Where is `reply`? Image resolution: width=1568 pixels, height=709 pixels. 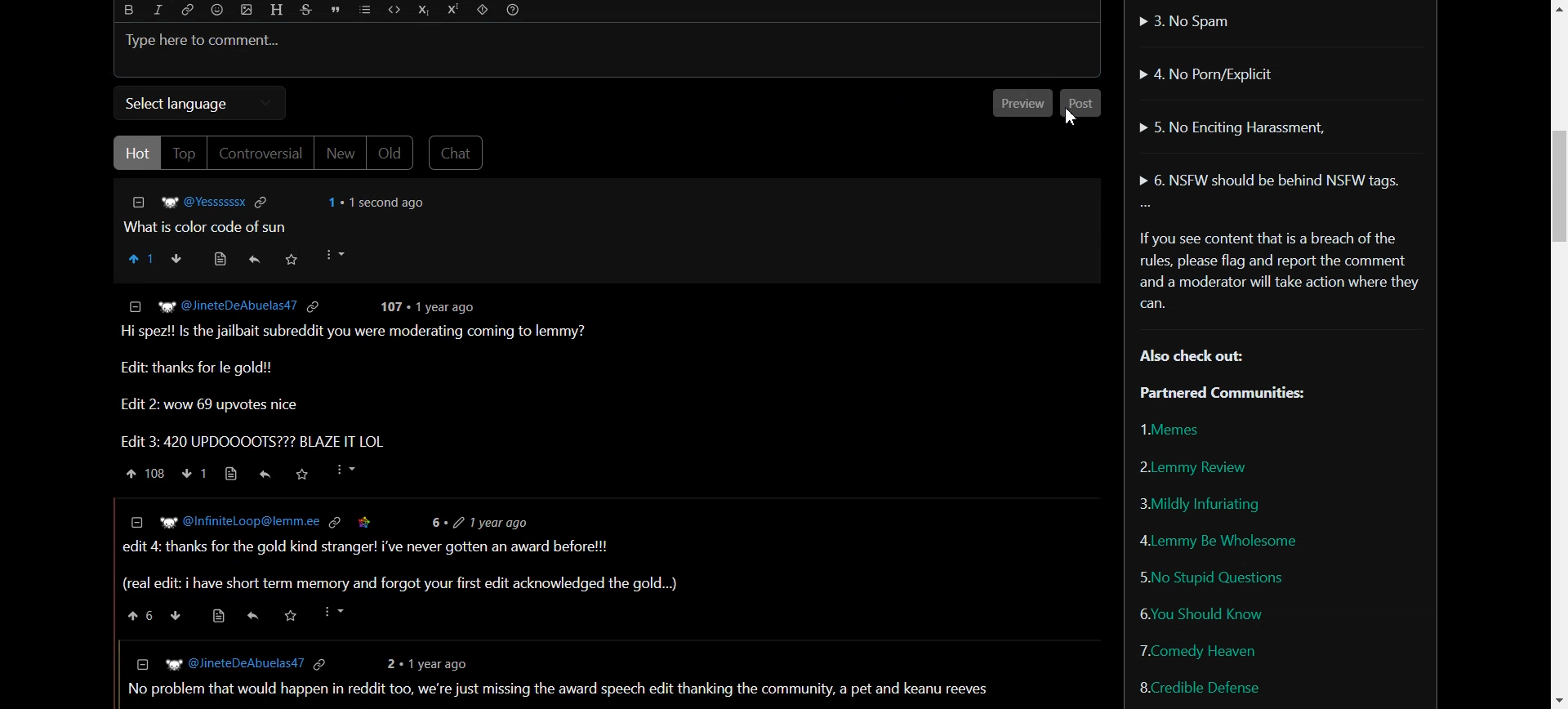
reply is located at coordinates (268, 475).